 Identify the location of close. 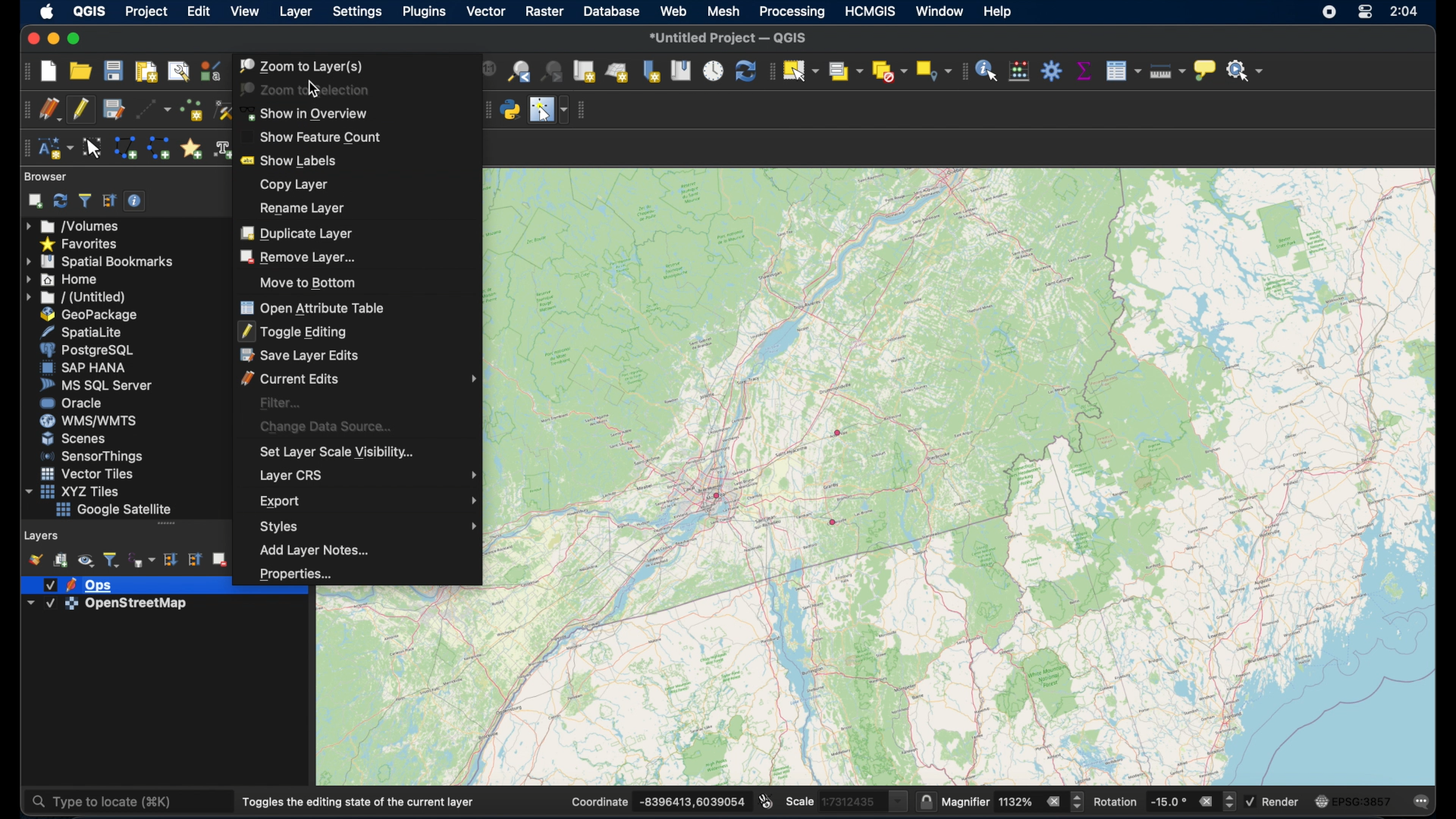
(30, 39).